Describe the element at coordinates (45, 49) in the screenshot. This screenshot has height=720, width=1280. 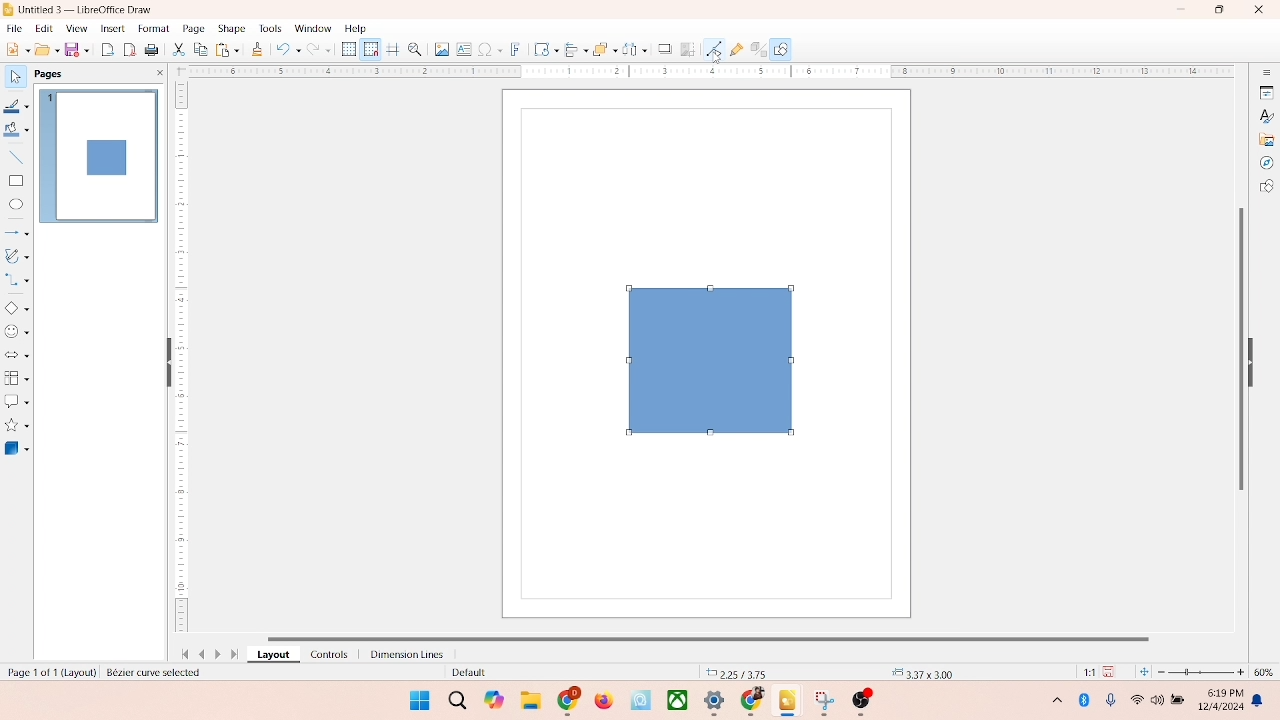
I see `open` at that location.